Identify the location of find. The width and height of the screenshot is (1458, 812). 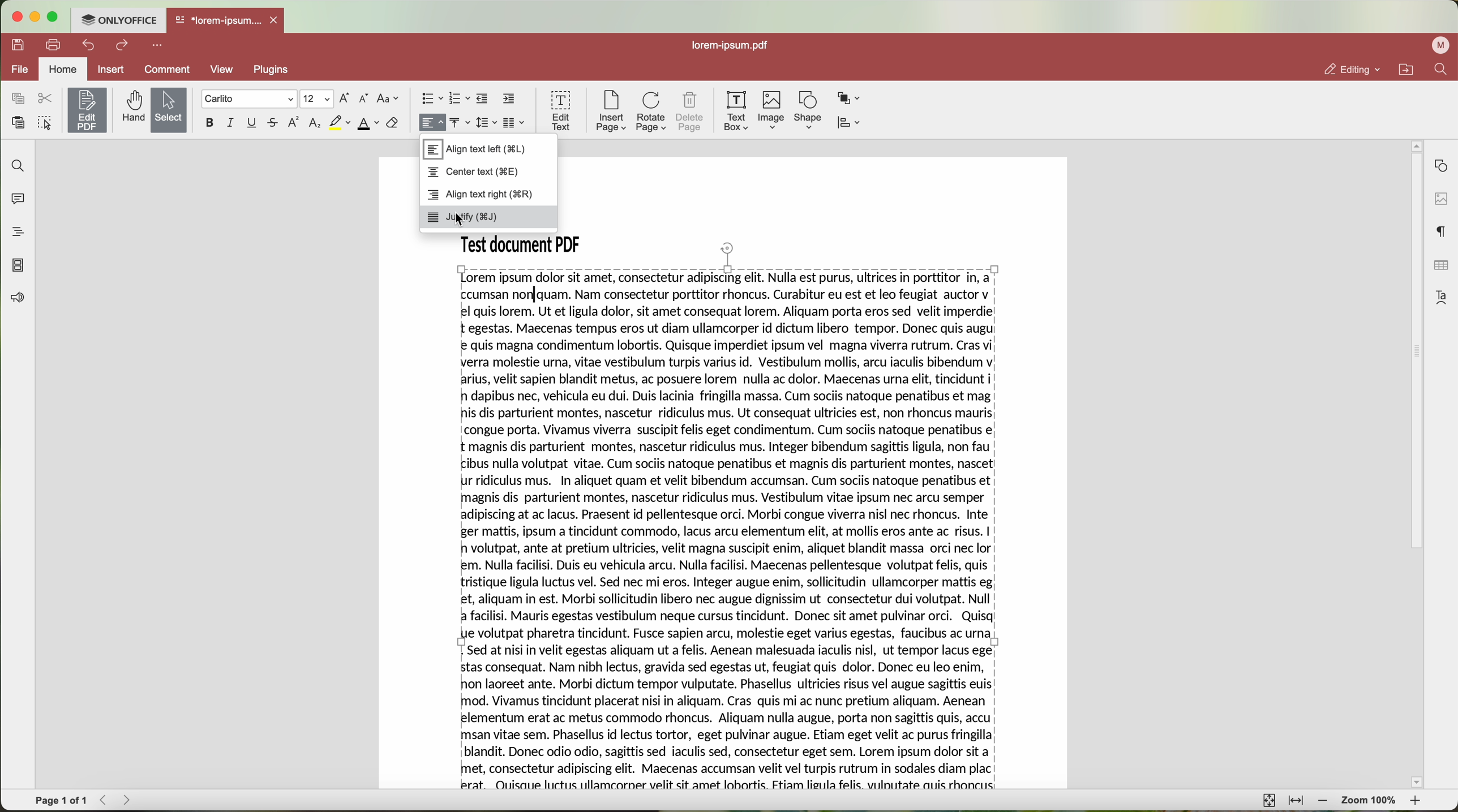
(1442, 71).